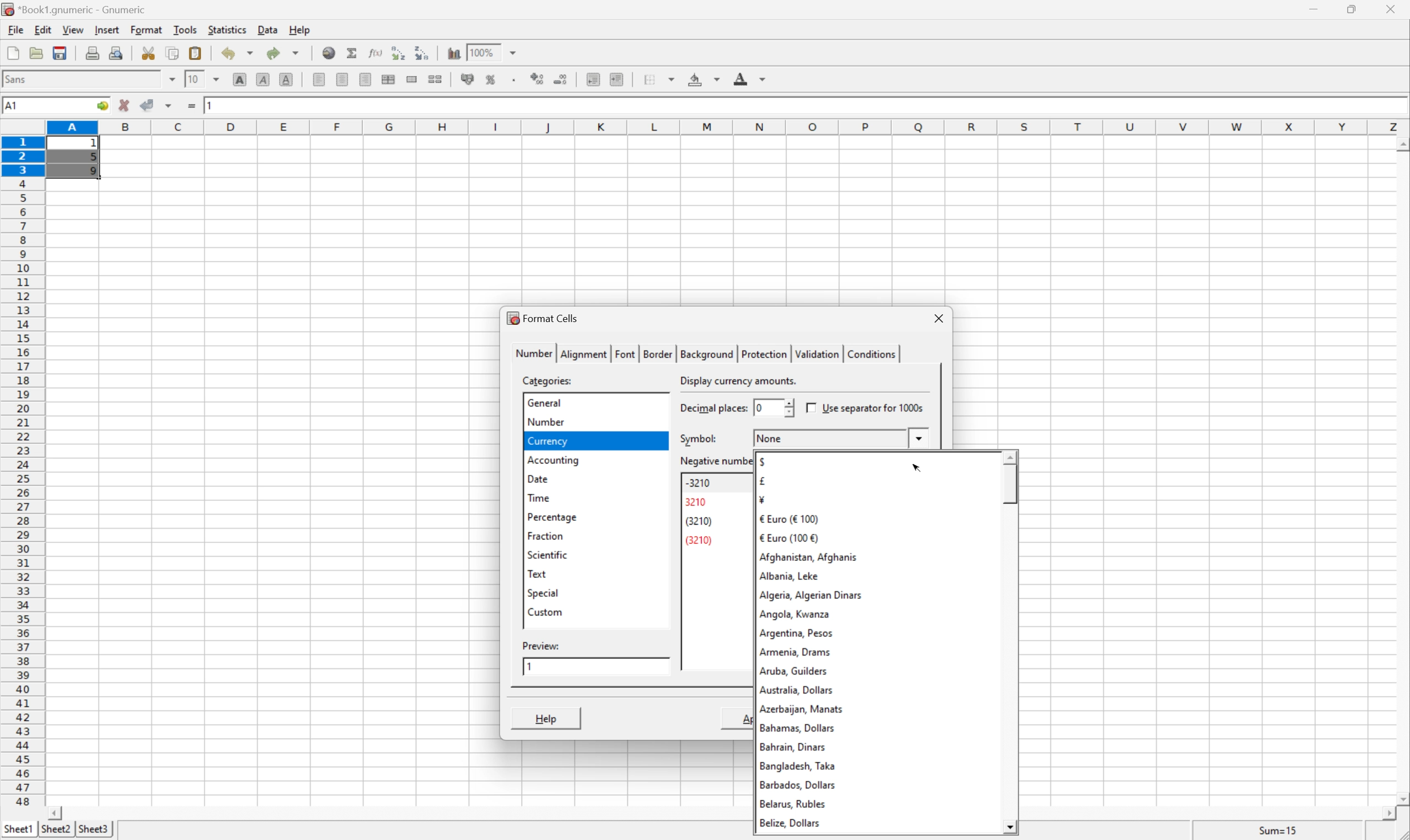 Image resolution: width=1410 pixels, height=840 pixels. Describe the element at coordinates (453, 52) in the screenshot. I see `insert chart` at that location.